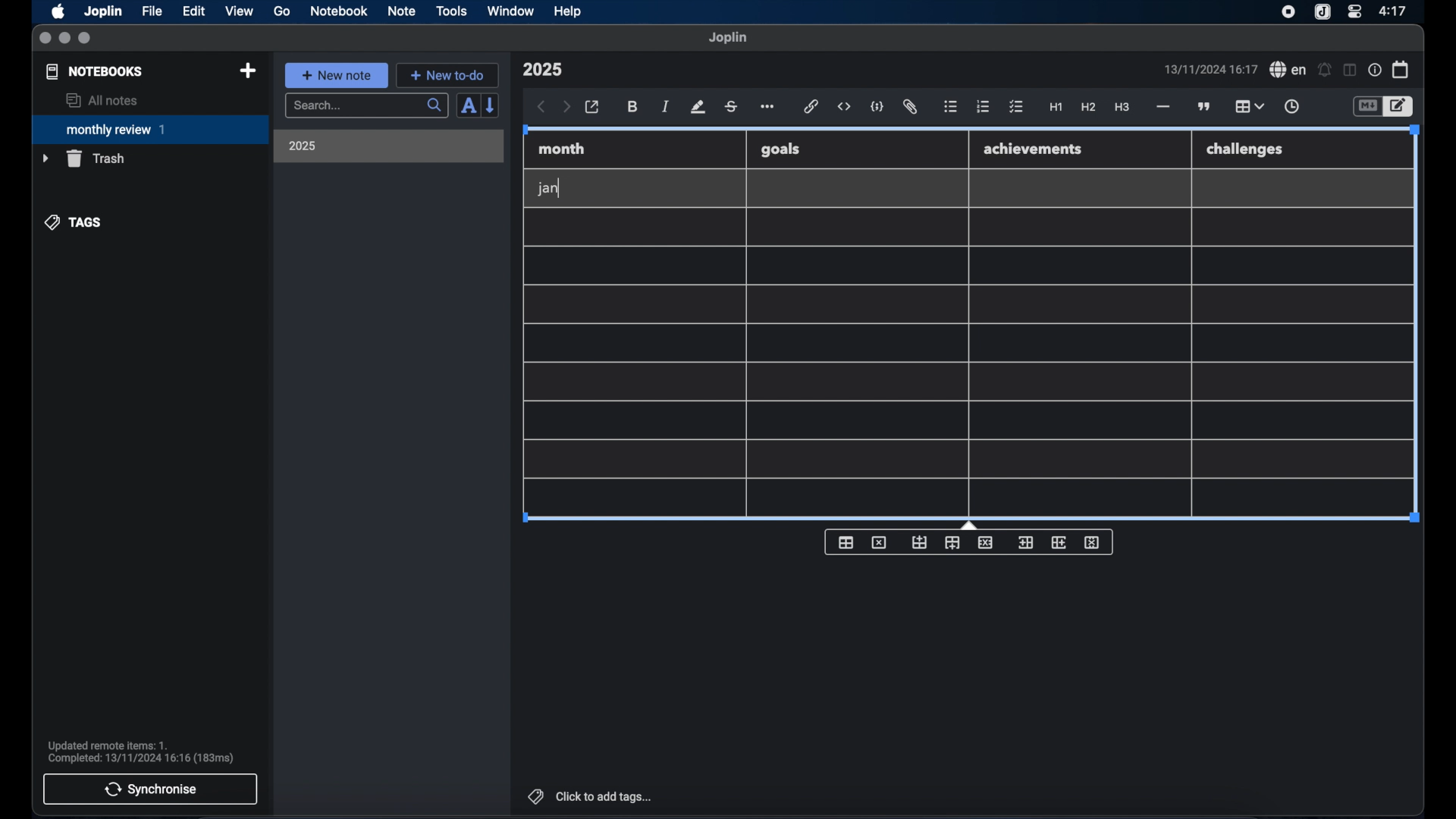 The width and height of the screenshot is (1456, 819). Describe the element at coordinates (591, 796) in the screenshot. I see `click to add tags` at that location.